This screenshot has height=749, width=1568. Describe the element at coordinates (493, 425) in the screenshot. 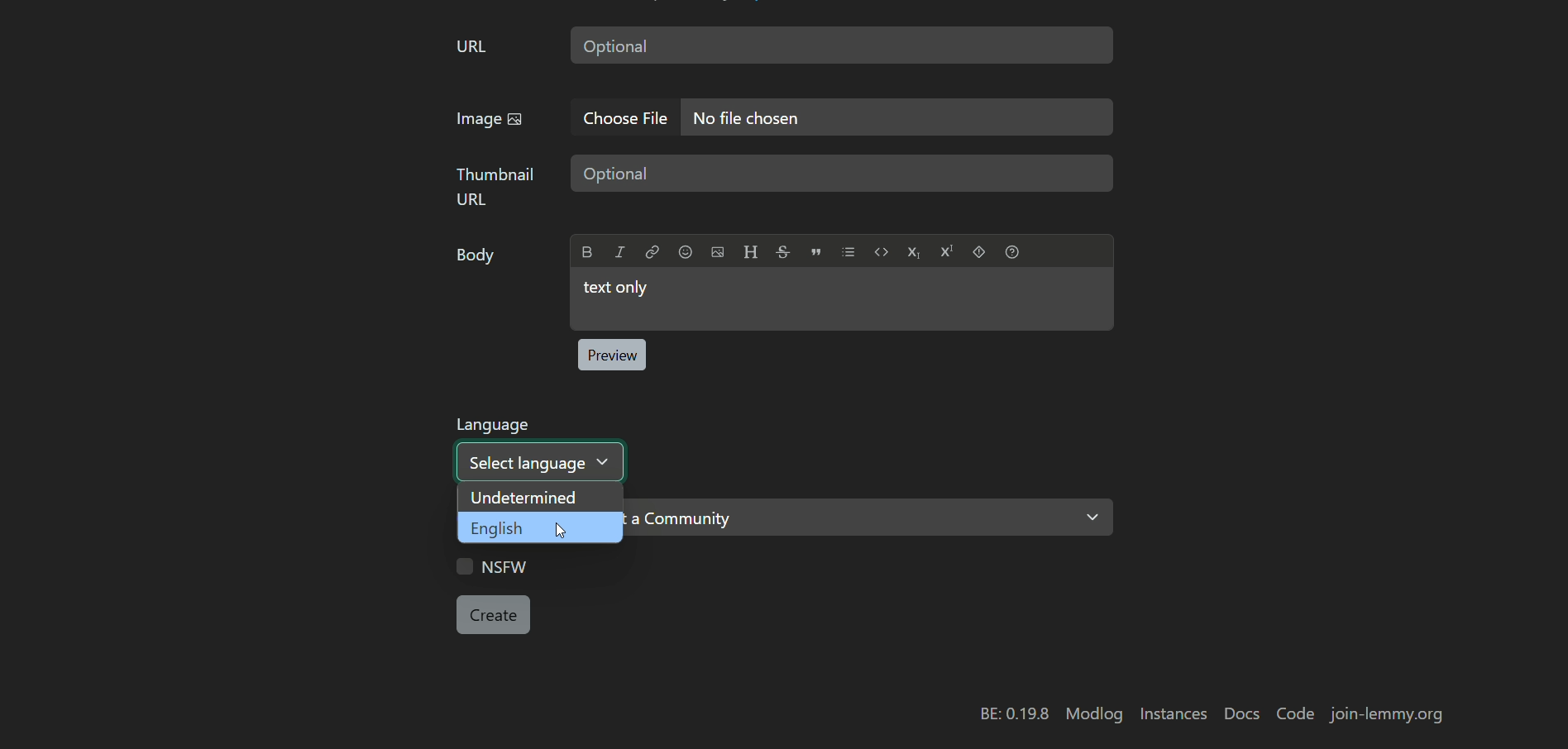

I see `Language` at that location.